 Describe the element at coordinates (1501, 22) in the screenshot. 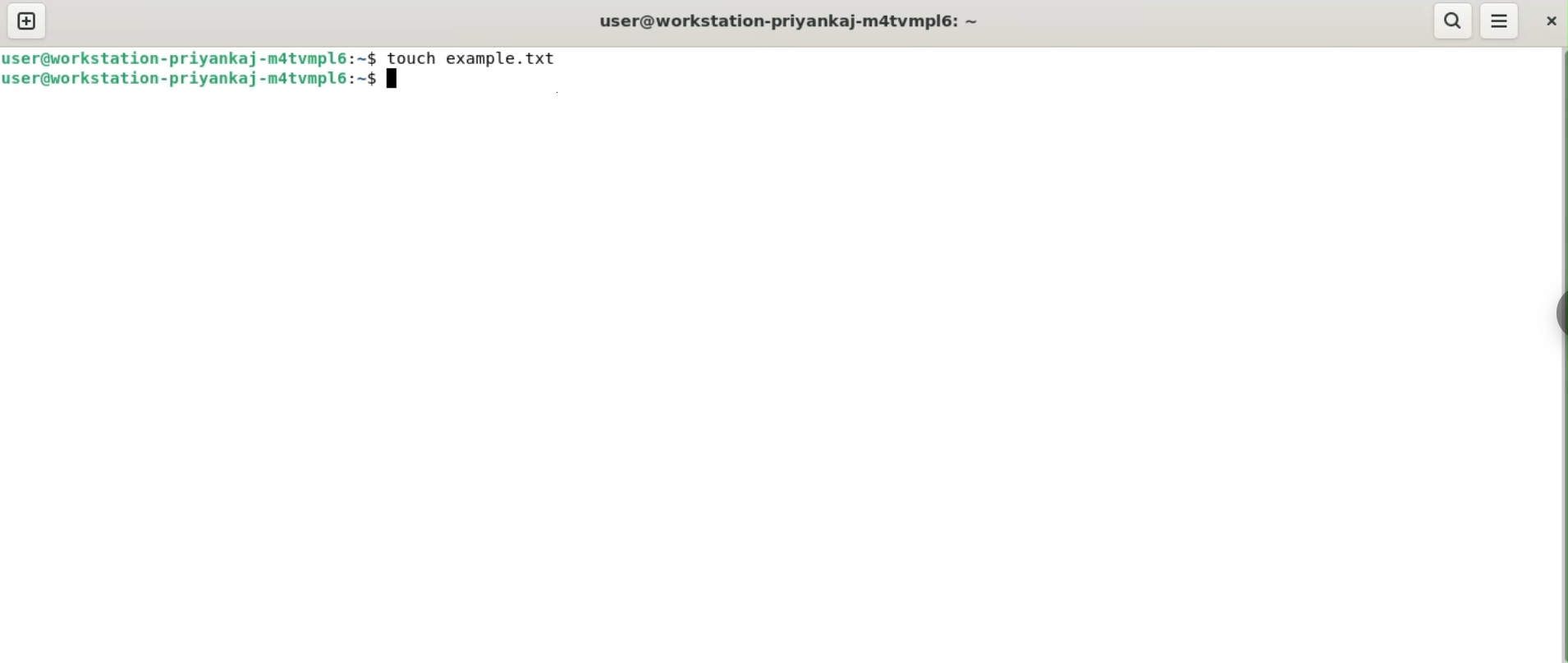

I see `menu` at that location.